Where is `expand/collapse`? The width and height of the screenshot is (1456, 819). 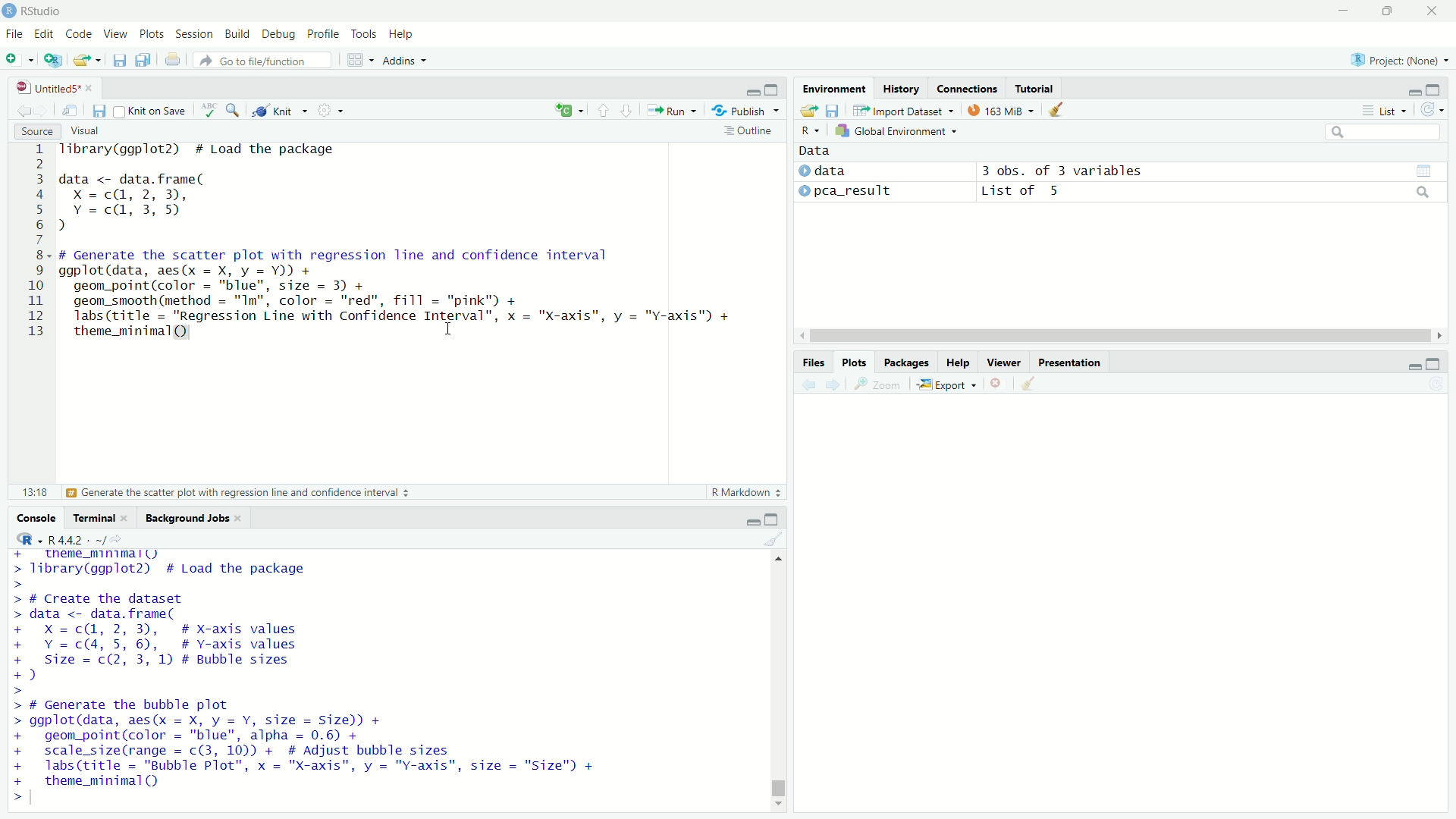
expand/collapse is located at coordinates (803, 171).